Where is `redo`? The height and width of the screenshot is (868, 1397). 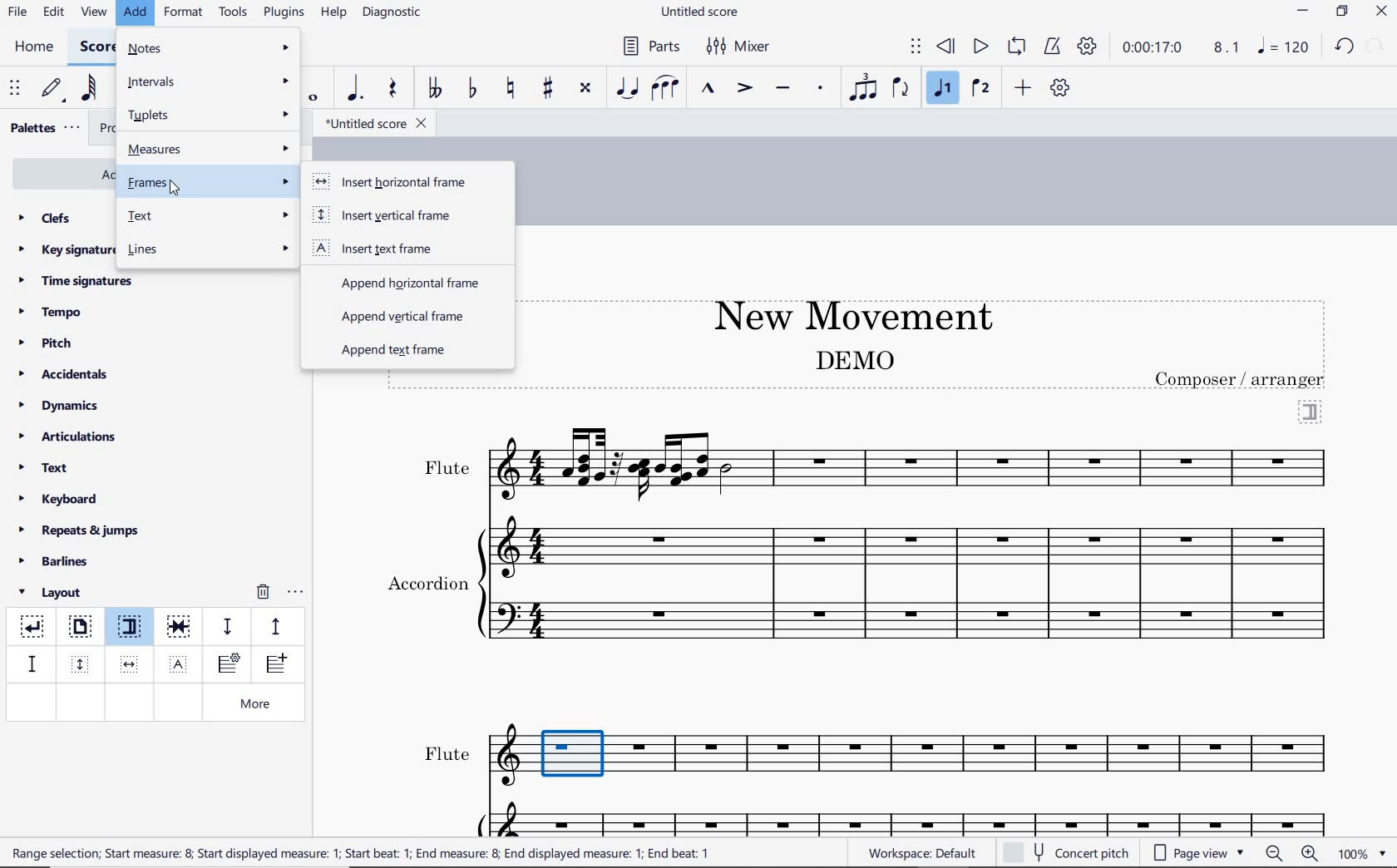
redo is located at coordinates (1344, 46).